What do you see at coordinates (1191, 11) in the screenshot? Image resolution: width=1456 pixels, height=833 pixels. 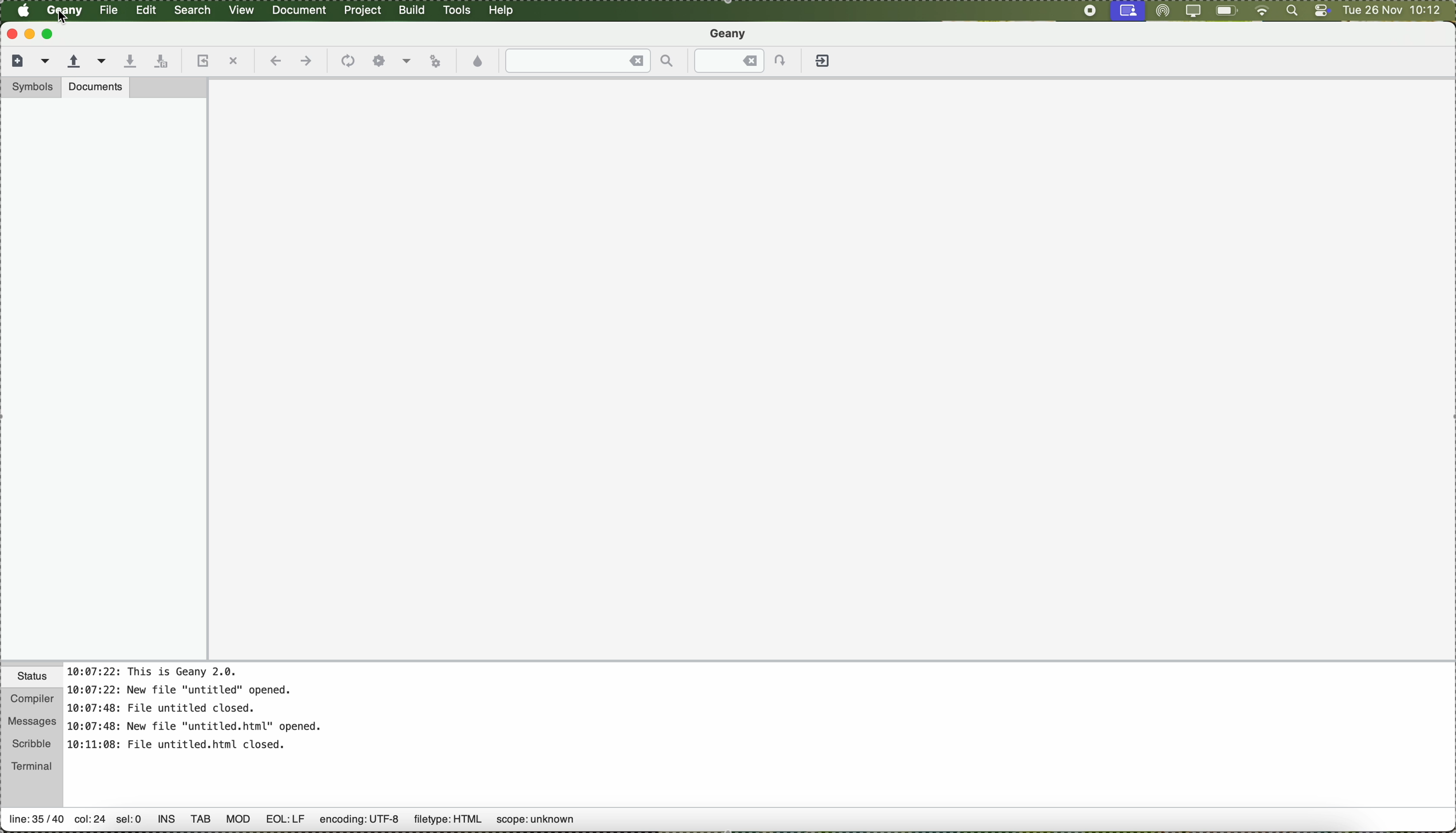 I see `screen` at bounding box center [1191, 11].